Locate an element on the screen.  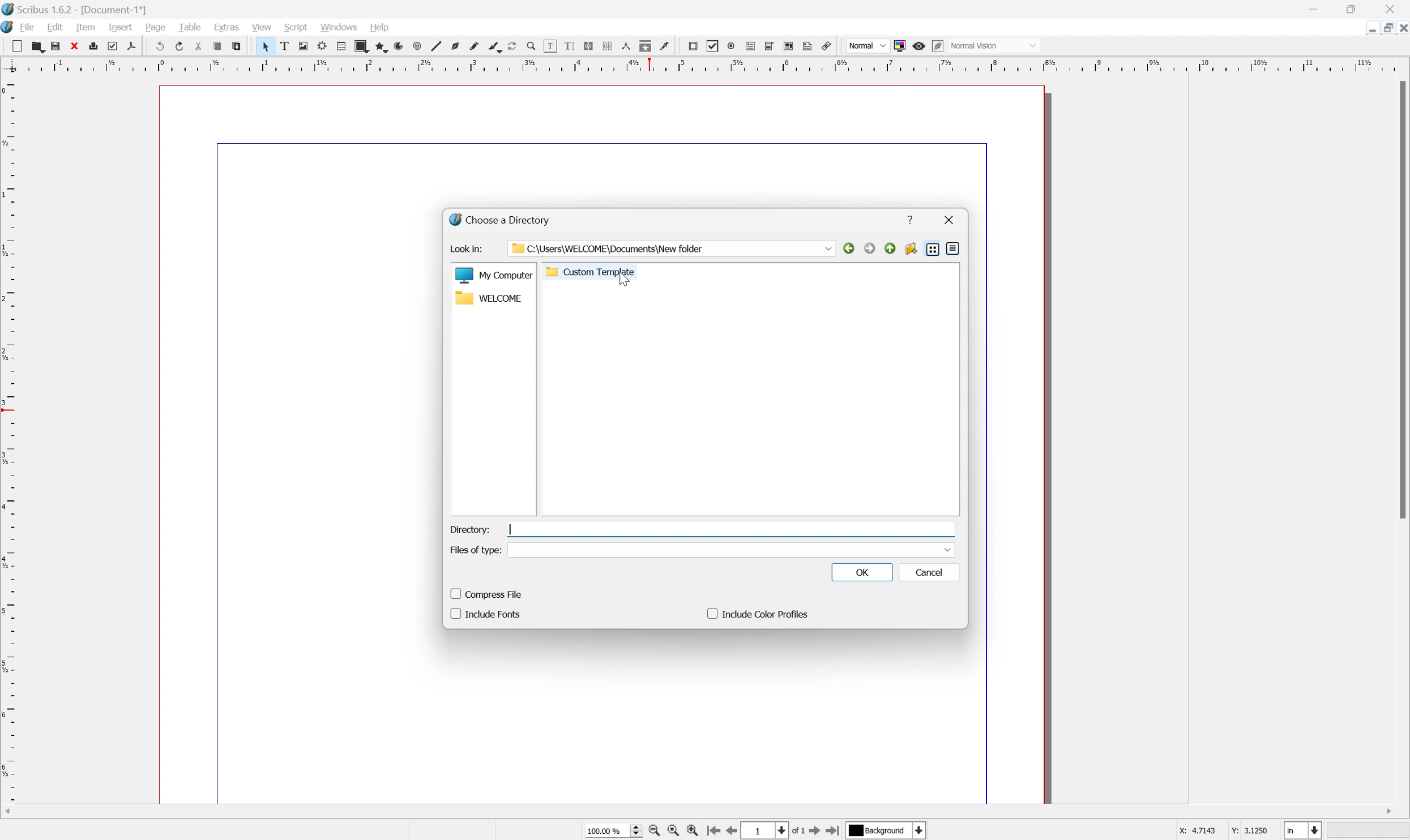
Edit in preview mode is located at coordinates (938, 45).